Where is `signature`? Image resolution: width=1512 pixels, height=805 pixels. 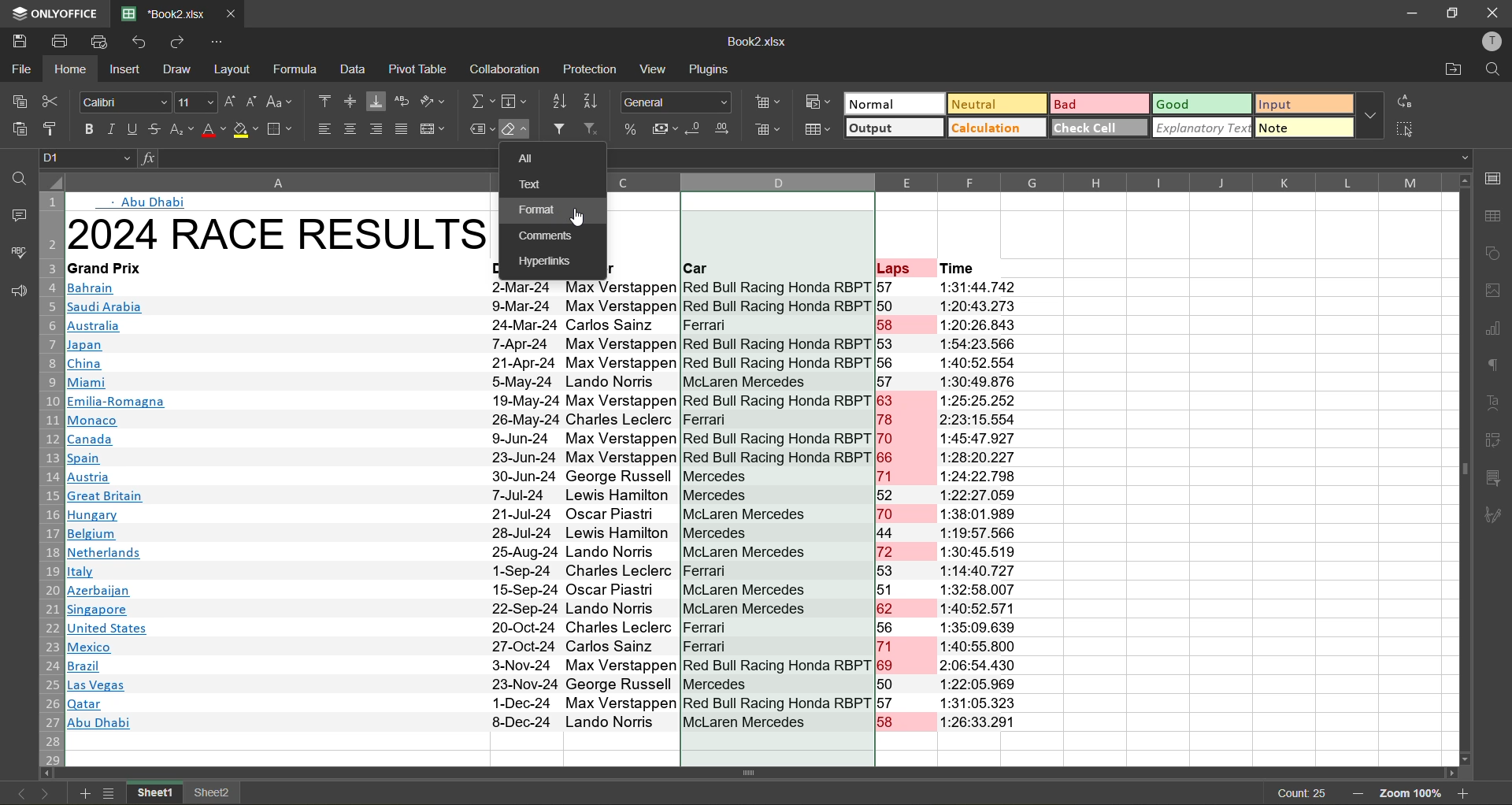 signature is located at coordinates (1497, 516).